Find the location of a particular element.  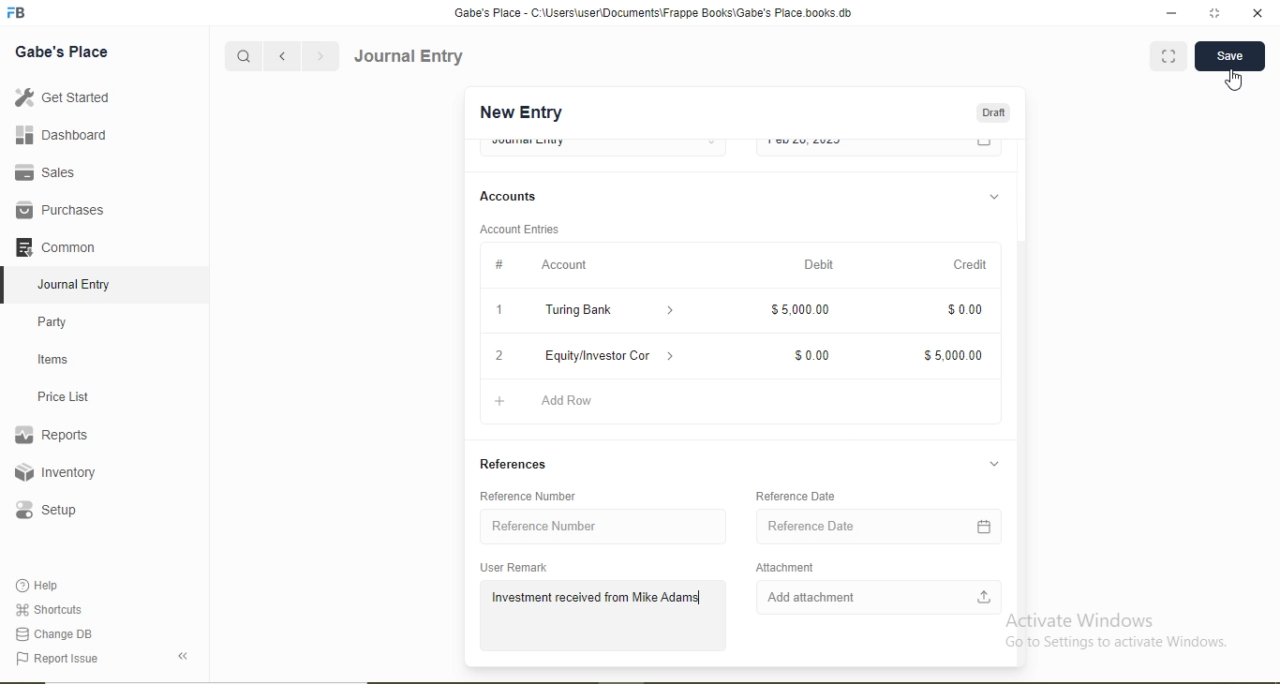

Reference Number is located at coordinates (545, 526).